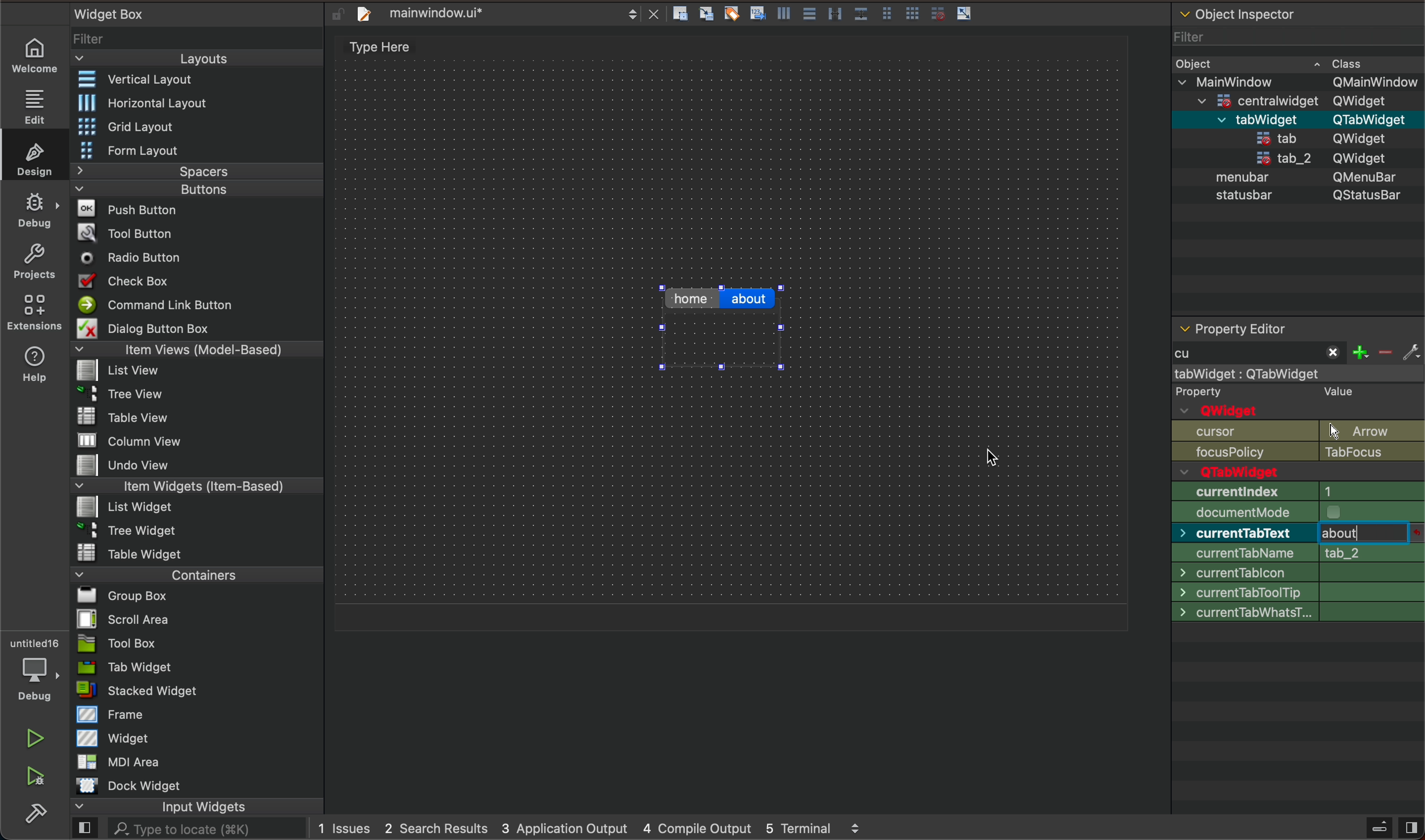 The width and height of the screenshot is (1425, 840). Describe the element at coordinates (1364, 535) in the screenshot. I see `typing ` at that location.